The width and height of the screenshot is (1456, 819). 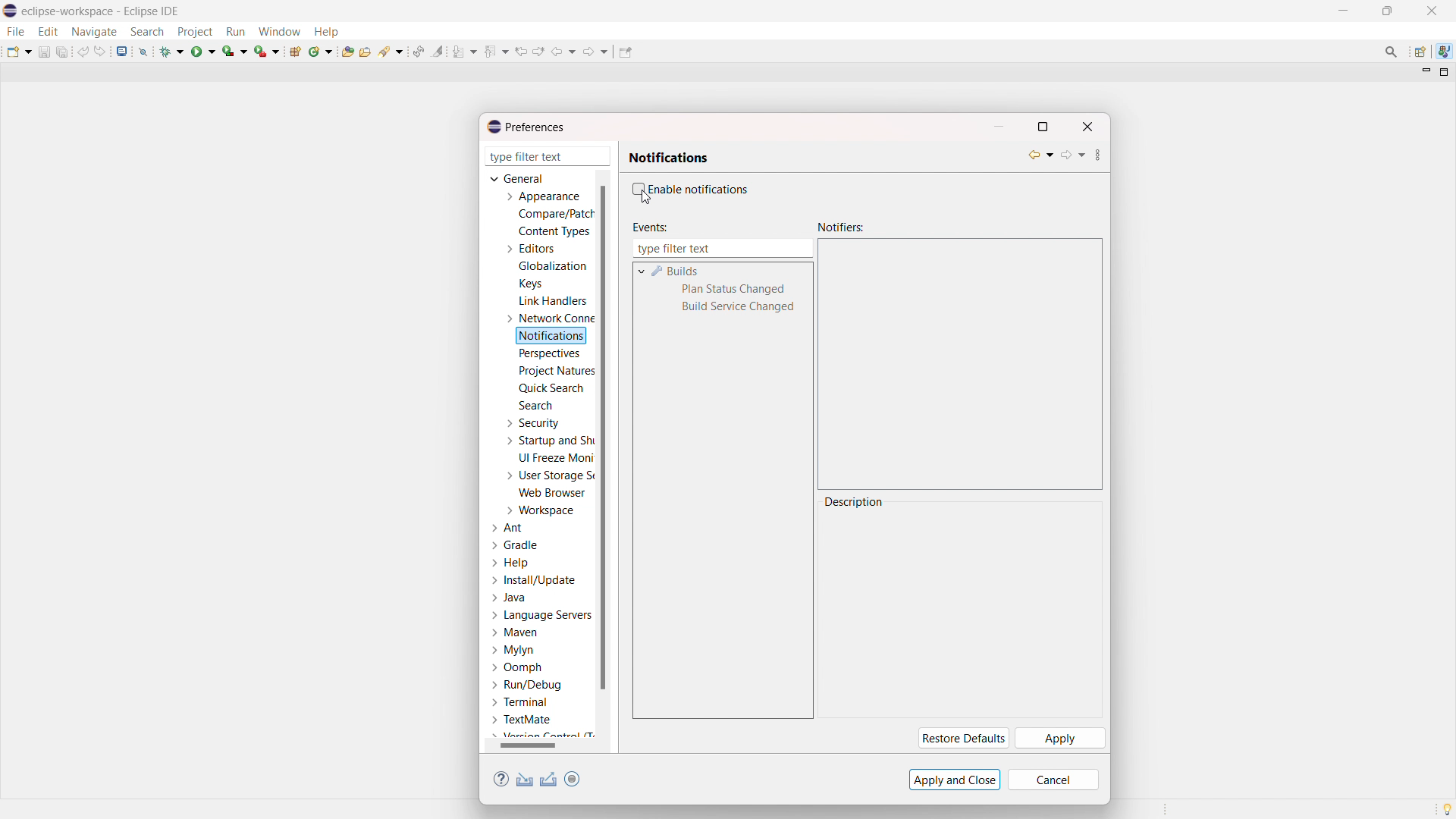 What do you see at coordinates (14, 31) in the screenshot?
I see `file` at bounding box center [14, 31].